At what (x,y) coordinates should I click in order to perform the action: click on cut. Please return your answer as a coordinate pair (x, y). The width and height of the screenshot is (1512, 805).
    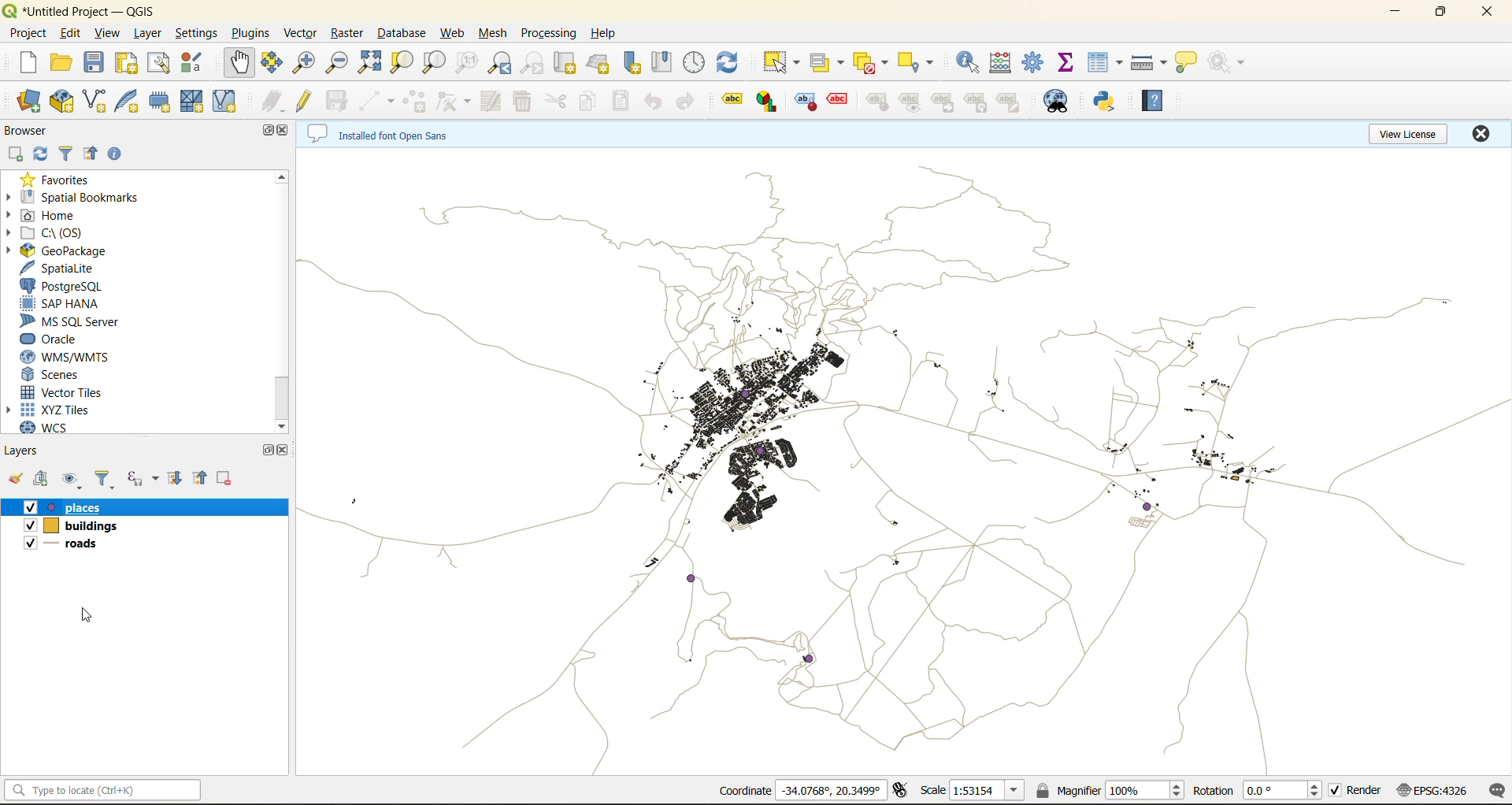
    Looking at the image, I should click on (555, 103).